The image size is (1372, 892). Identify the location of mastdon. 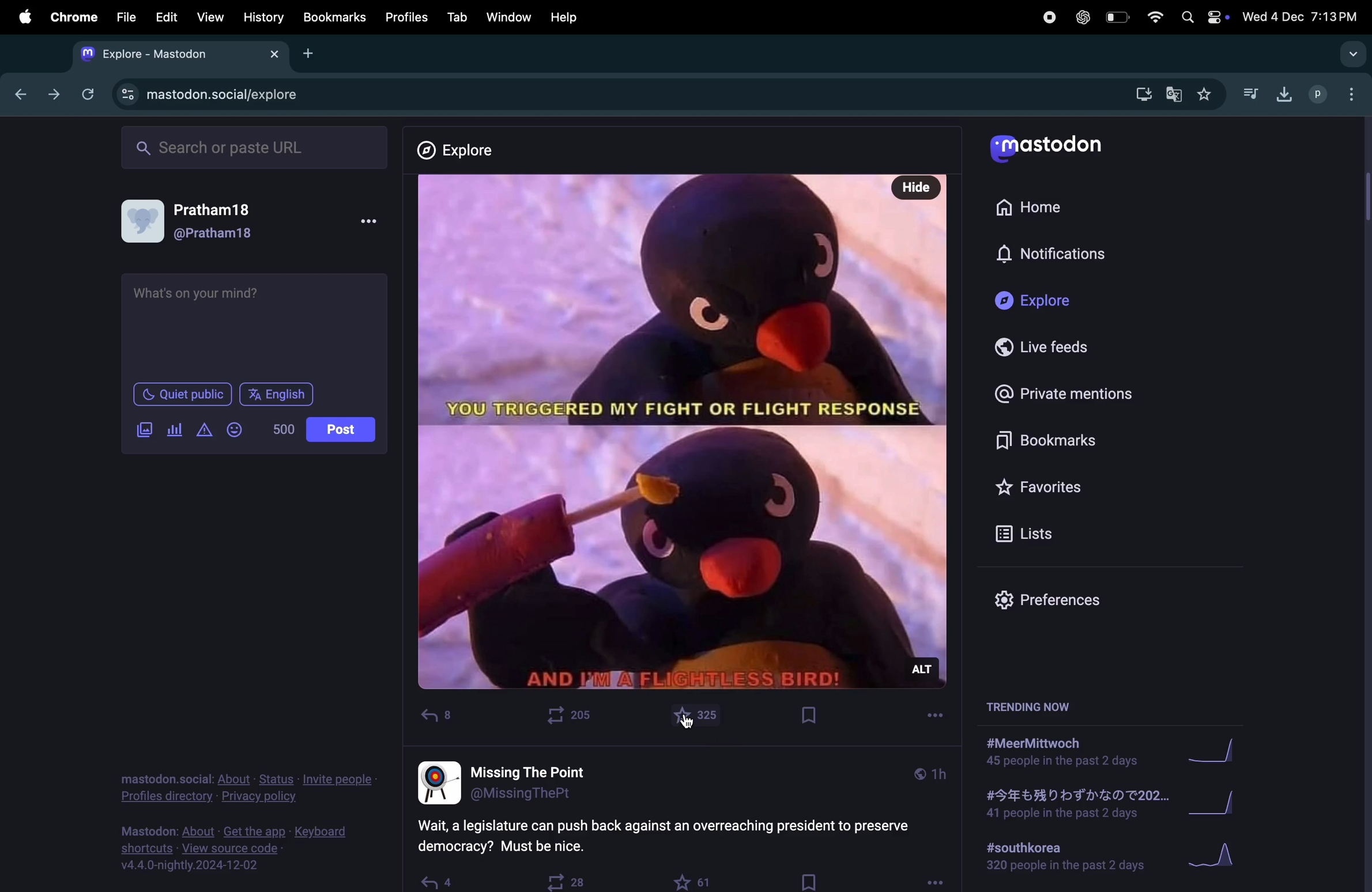
(209, 95).